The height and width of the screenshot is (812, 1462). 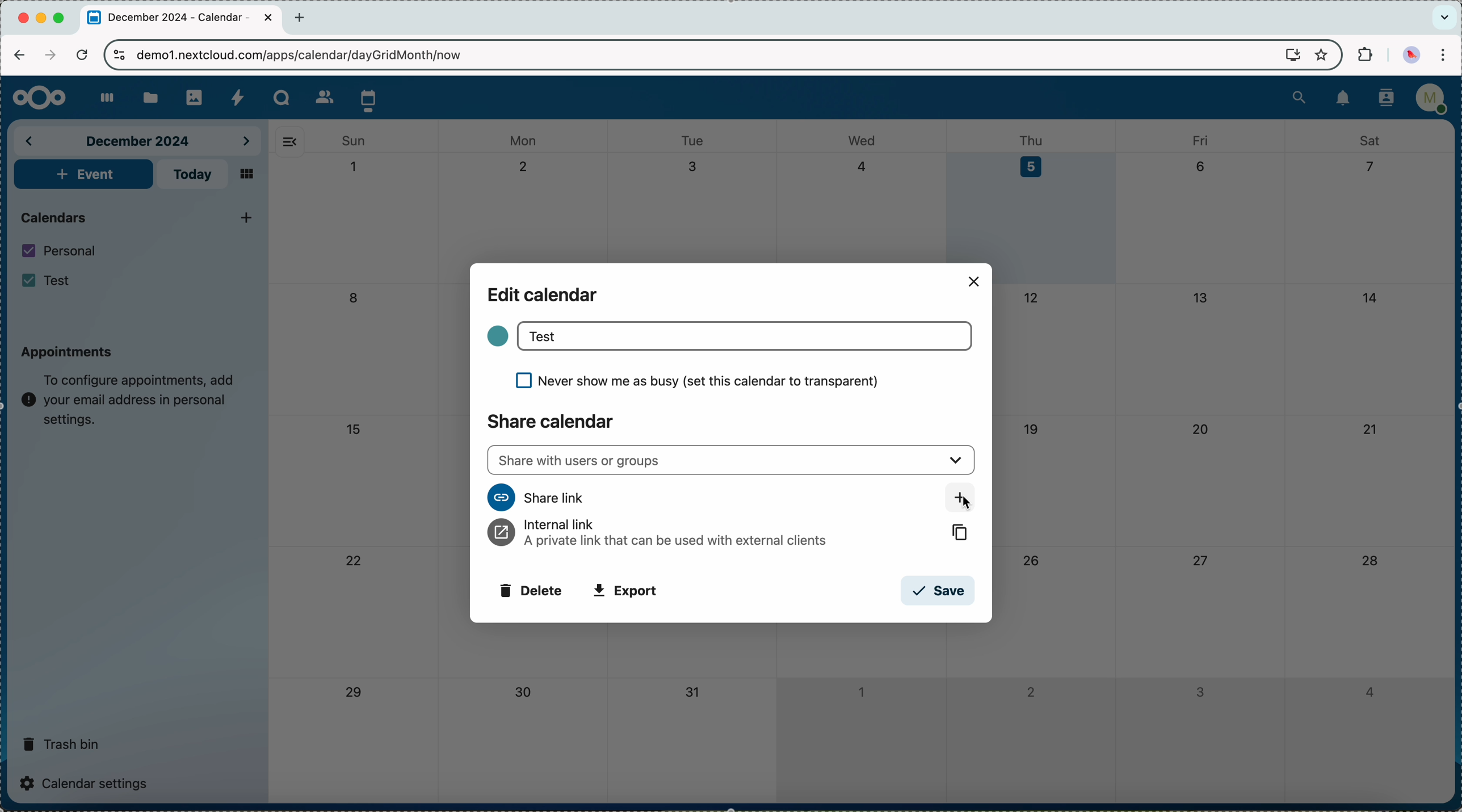 What do you see at coordinates (56, 216) in the screenshot?
I see `calendars` at bounding box center [56, 216].